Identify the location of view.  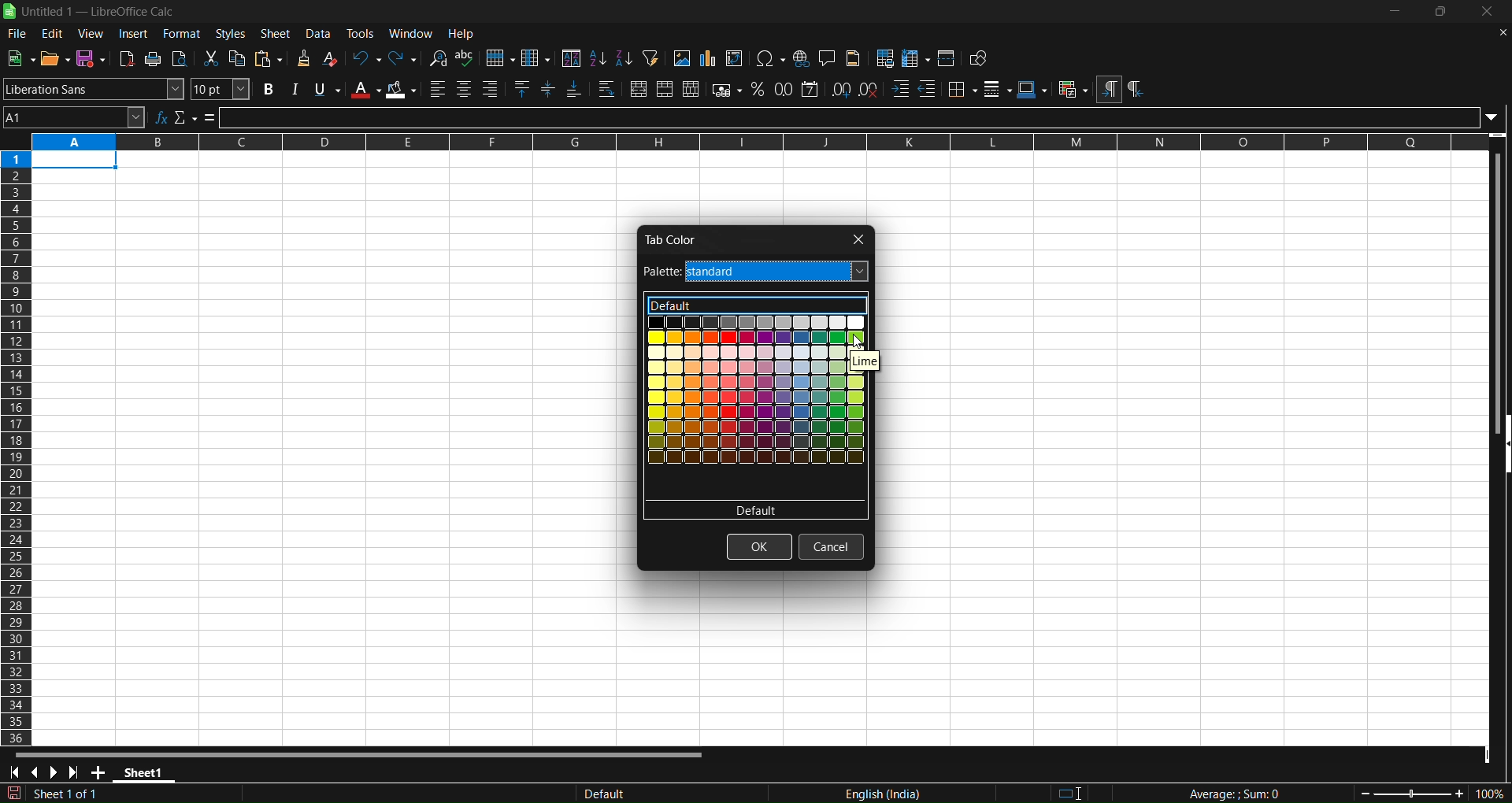
(93, 33).